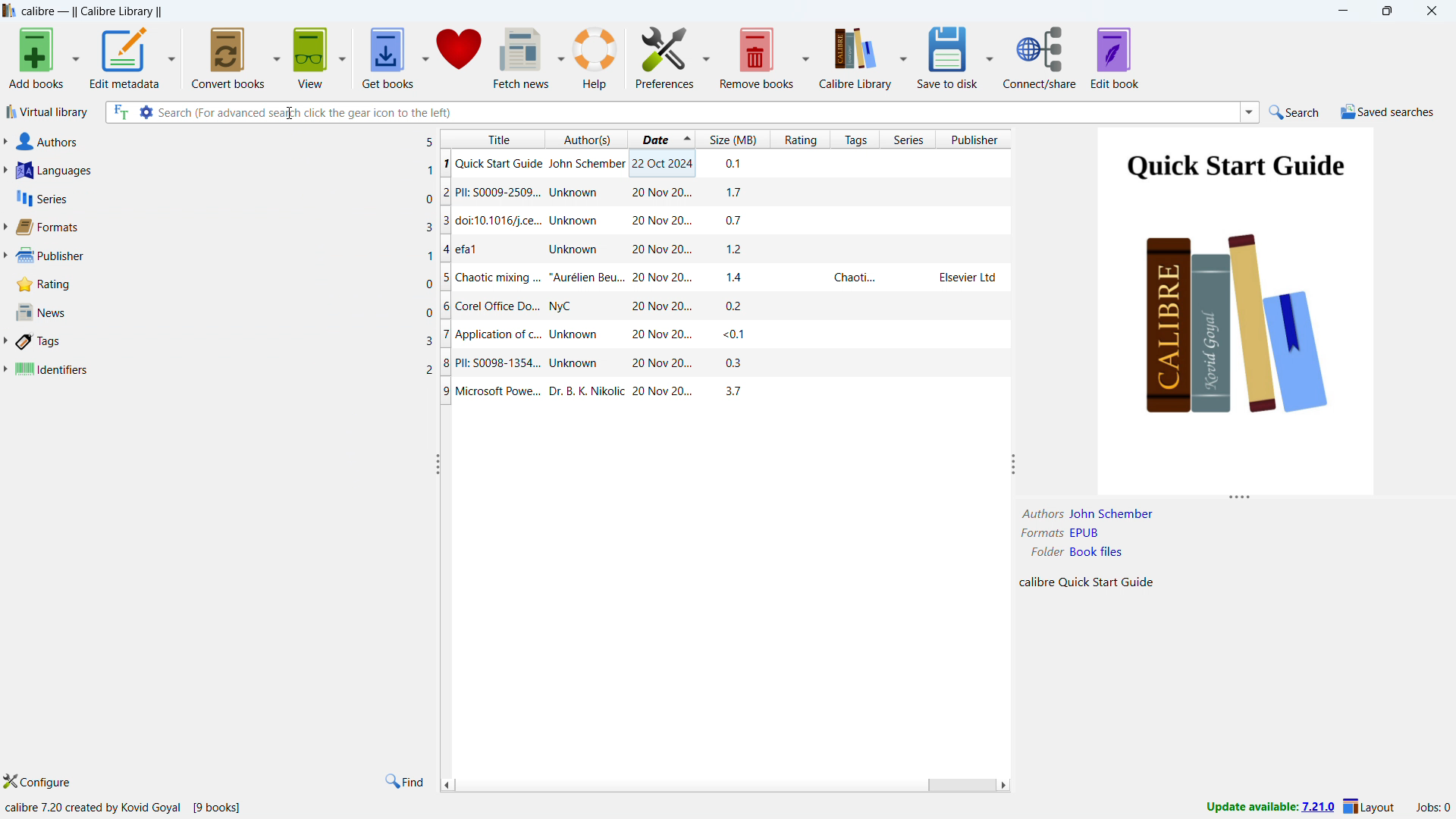 Image resolution: width=1456 pixels, height=819 pixels. What do you see at coordinates (224, 142) in the screenshot?
I see `authors` at bounding box center [224, 142].